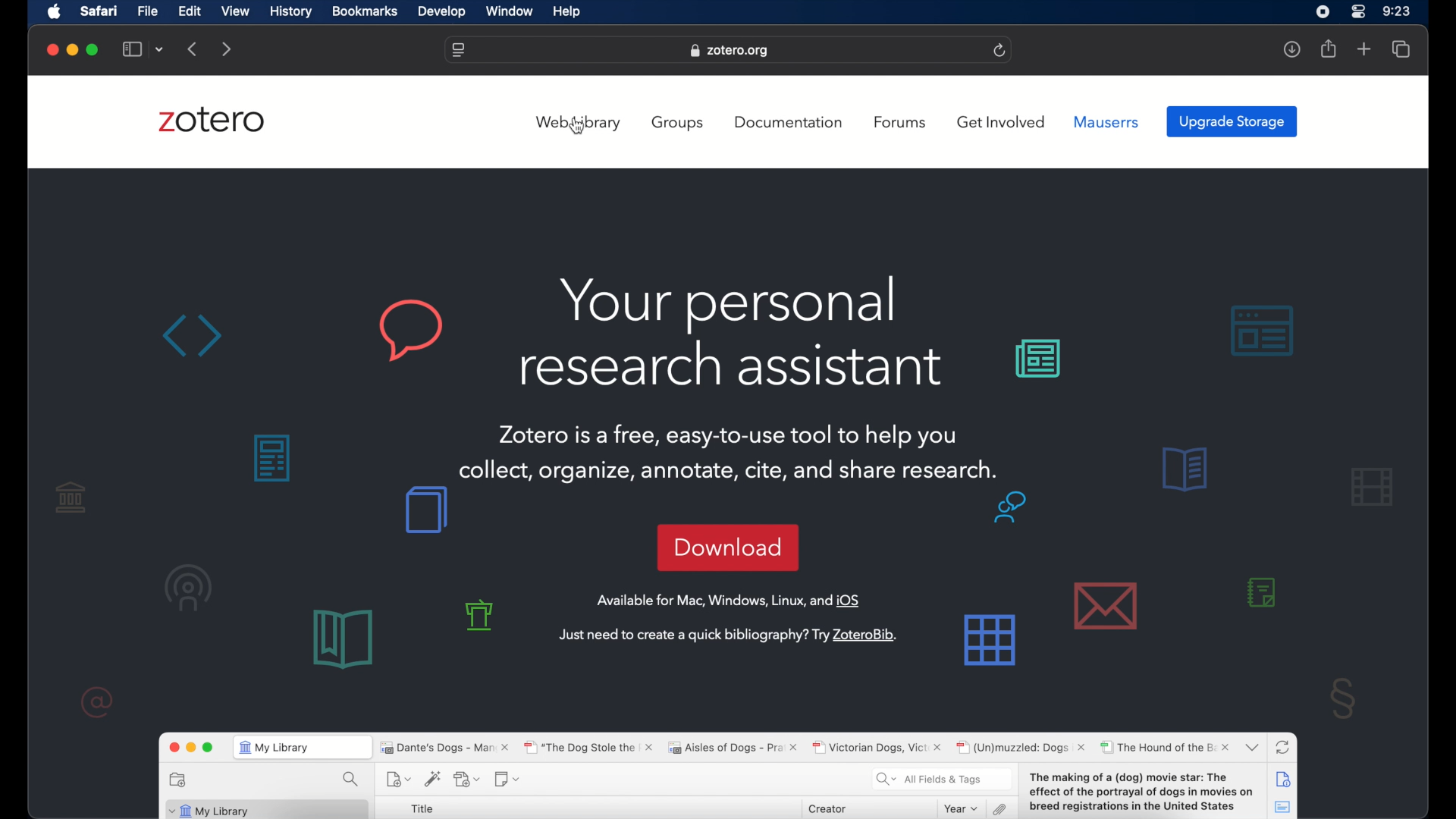 The image size is (1456, 819). What do you see at coordinates (789, 122) in the screenshot?
I see `documentation` at bounding box center [789, 122].